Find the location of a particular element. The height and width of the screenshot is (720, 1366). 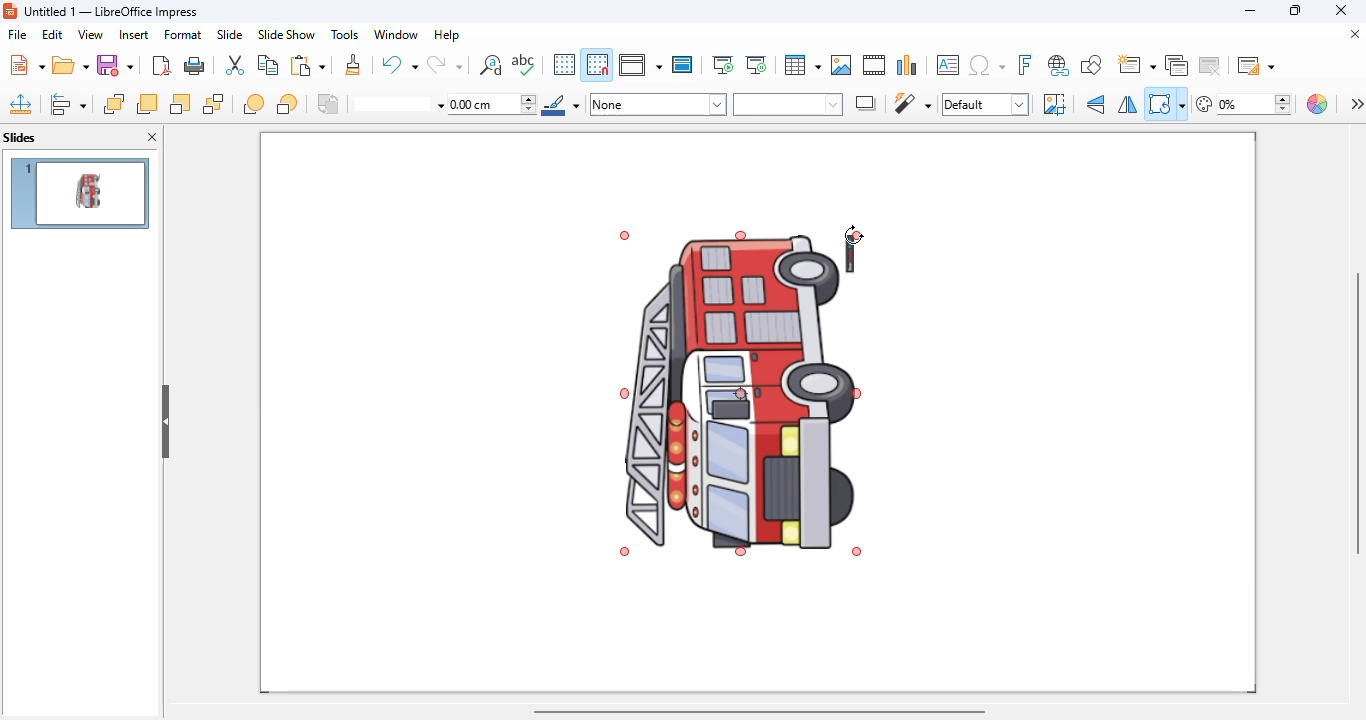

snap to grid is located at coordinates (598, 64).